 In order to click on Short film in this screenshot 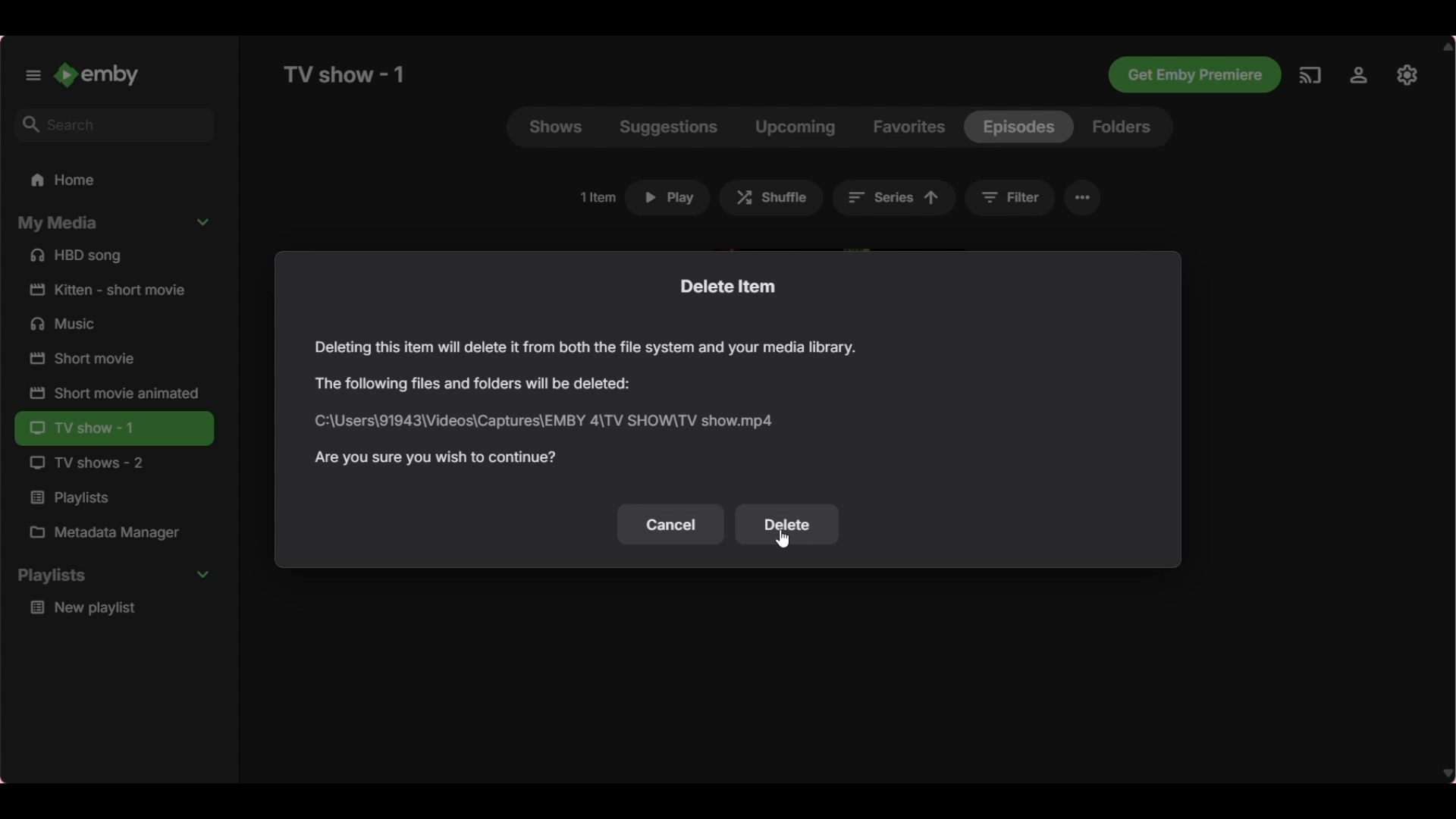, I will do `click(113, 359)`.